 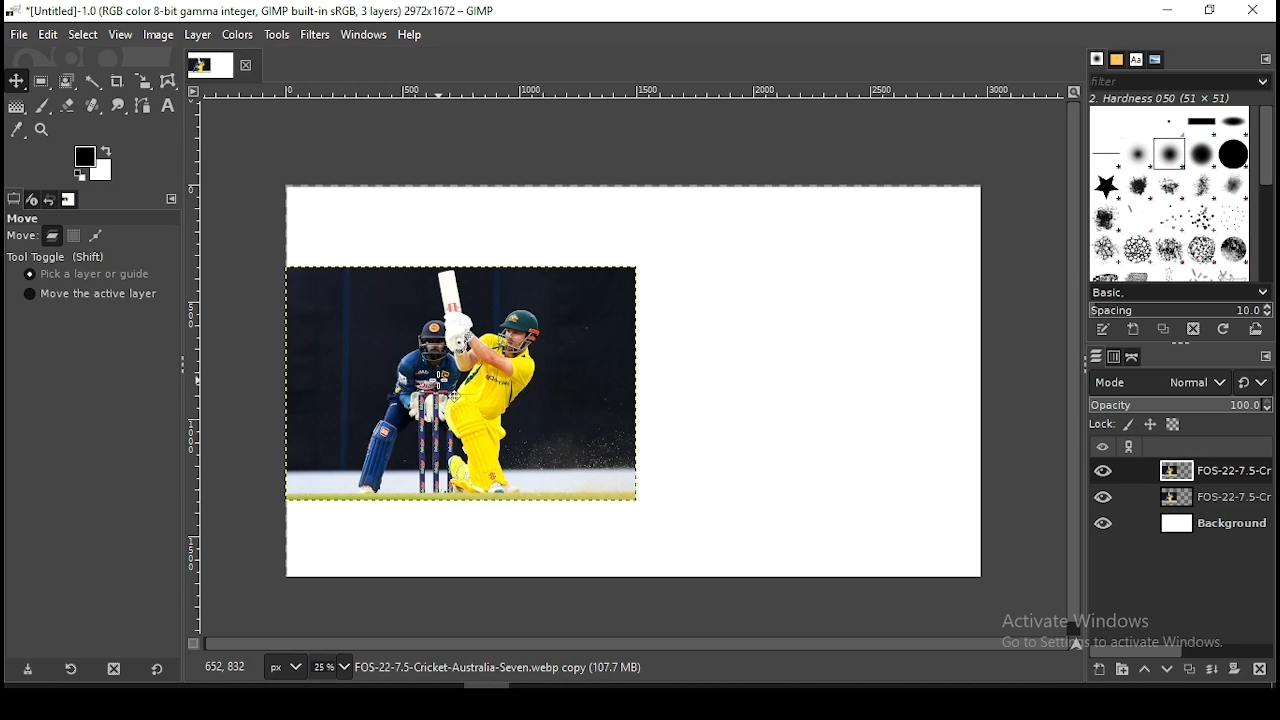 What do you see at coordinates (69, 200) in the screenshot?
I see `images` at bounding box center [69, 200].